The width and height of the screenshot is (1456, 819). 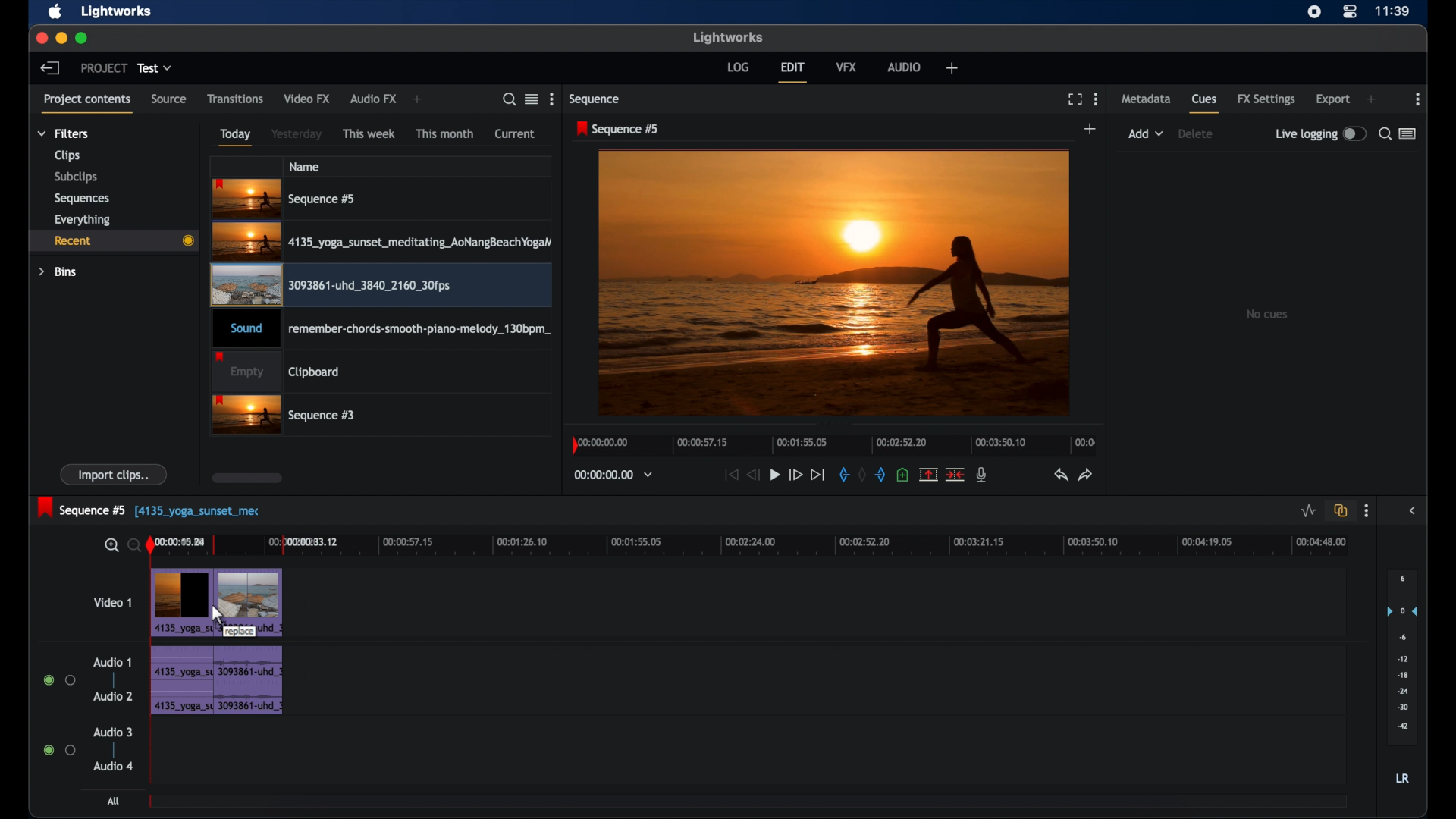 What do you see at coordinates (795, 475) in the screenshot?
I see `fast forward` at bounding box center [795, 475].